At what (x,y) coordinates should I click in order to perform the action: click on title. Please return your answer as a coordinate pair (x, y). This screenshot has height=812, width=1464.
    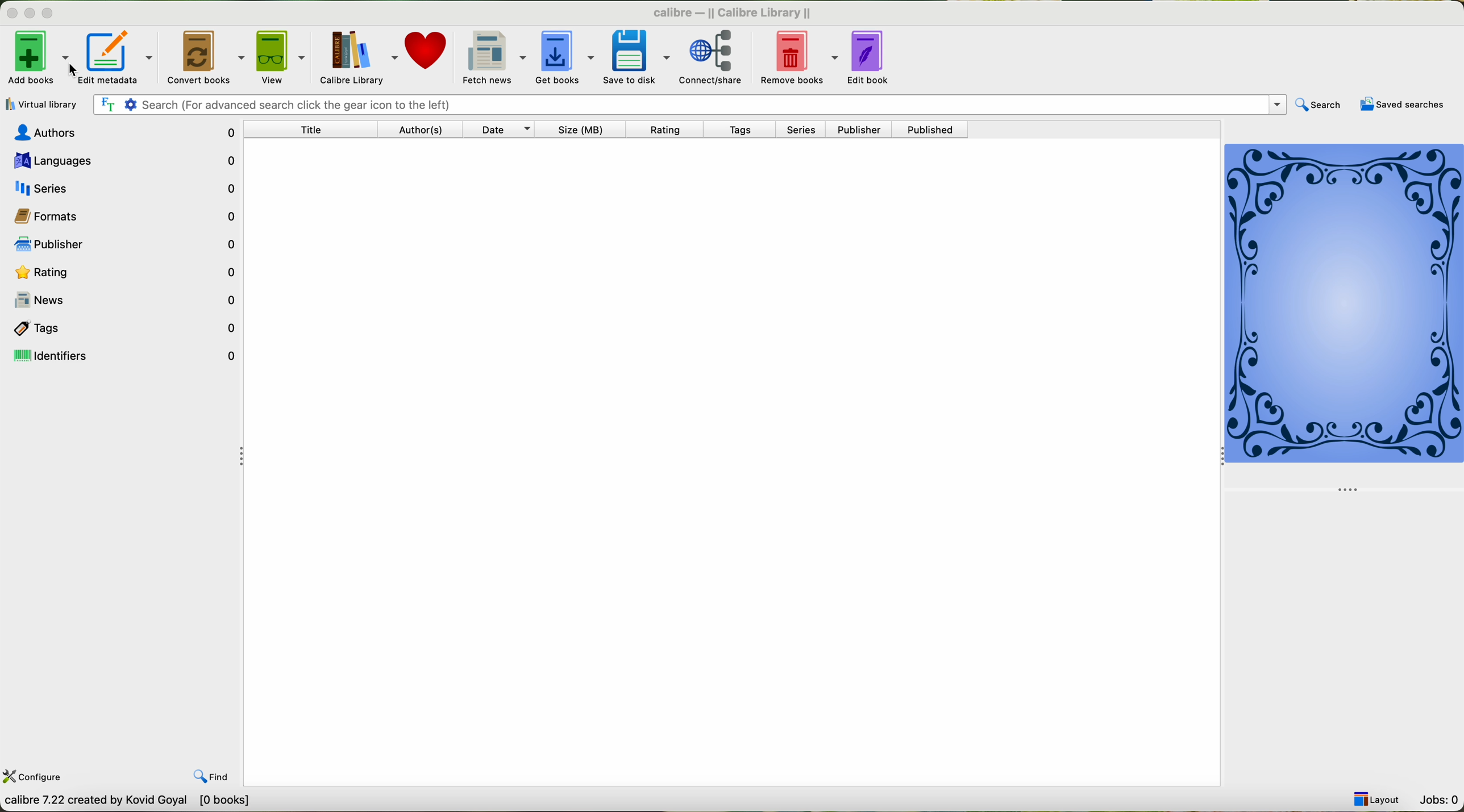
    Looking at the image, I should click on (311, 131).